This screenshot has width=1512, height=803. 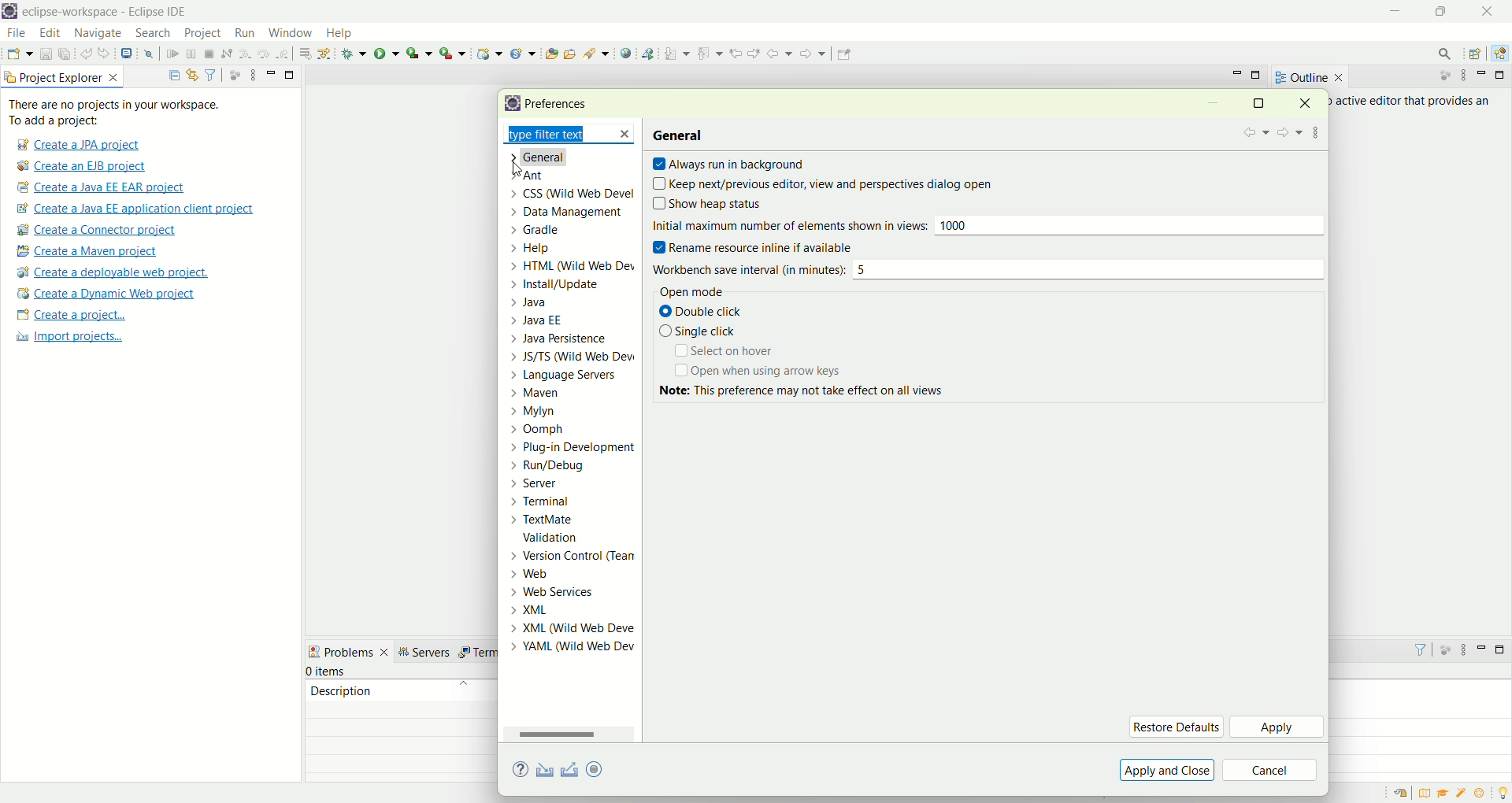 I want to click on help, so click(x=523, y=771).